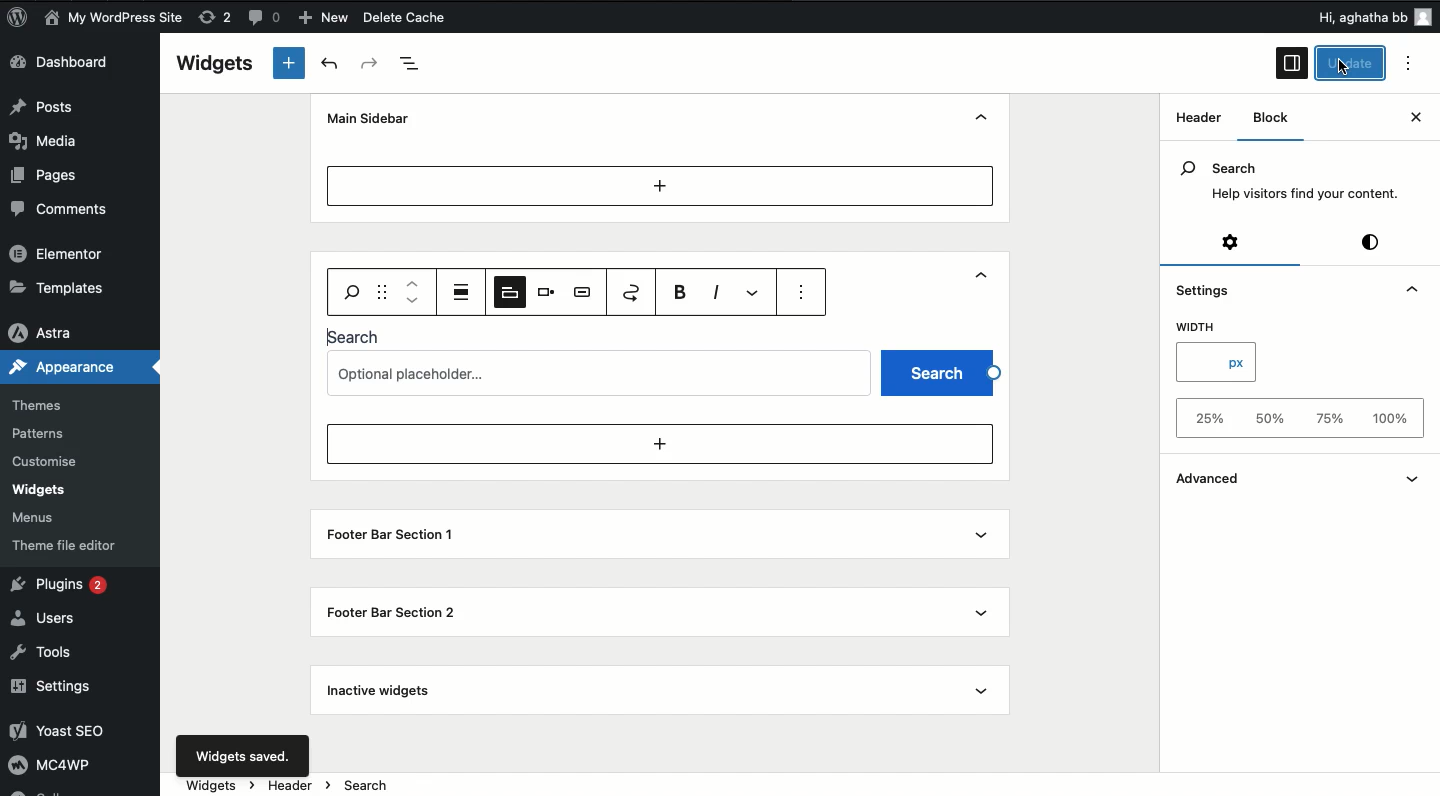 The image size is (1440, 796). I want to click on  searchHelp visitors find your content., so click(1288, 181).